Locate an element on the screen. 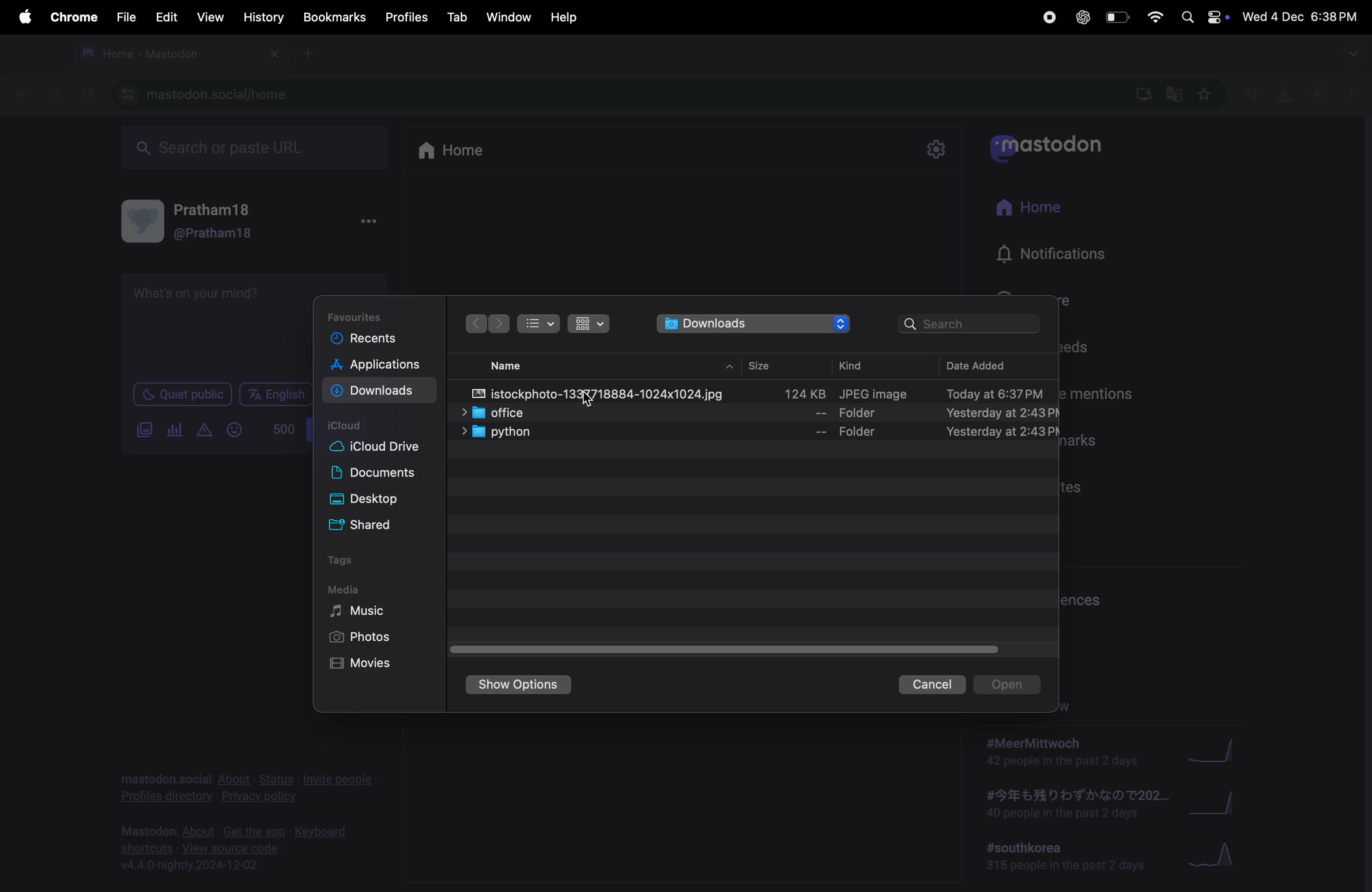  mastodon url is located at coordinates (203, 94).